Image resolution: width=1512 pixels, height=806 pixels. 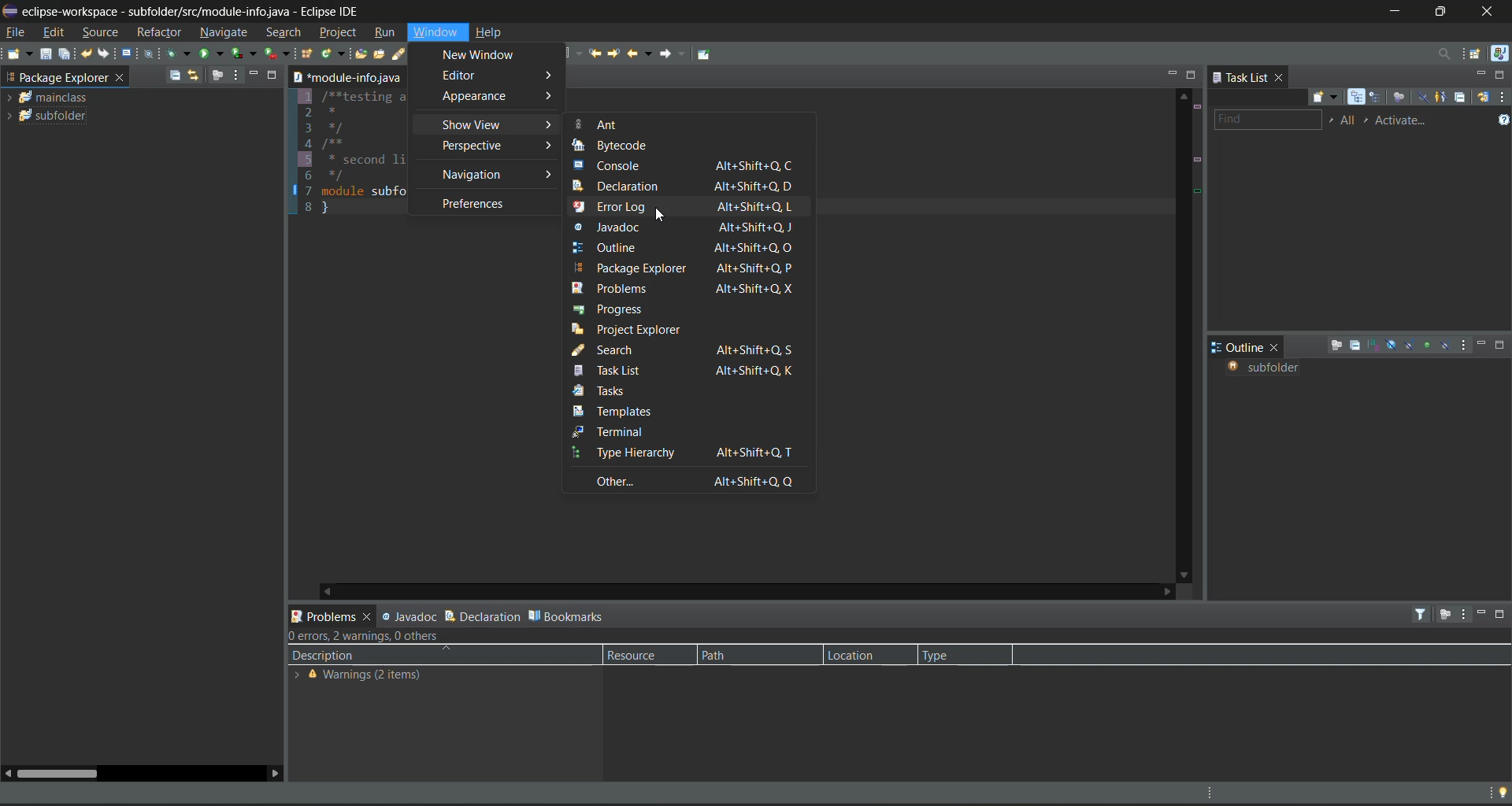 What do you see at coordinates (1406, 121) in the screenshot?
I see `activate` at bounding box center [1406, 121].